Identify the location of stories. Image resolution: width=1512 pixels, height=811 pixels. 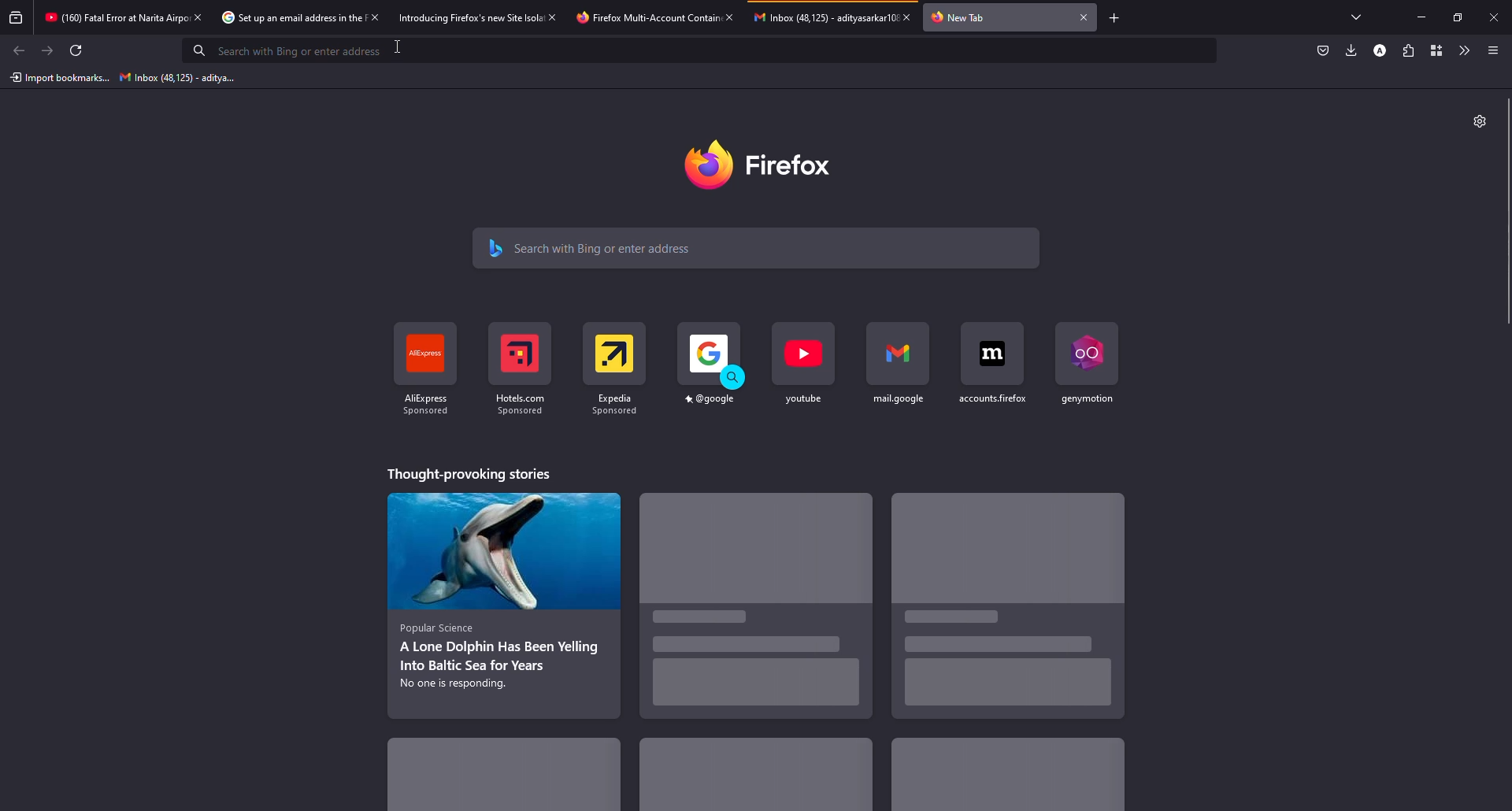
(474, 474).